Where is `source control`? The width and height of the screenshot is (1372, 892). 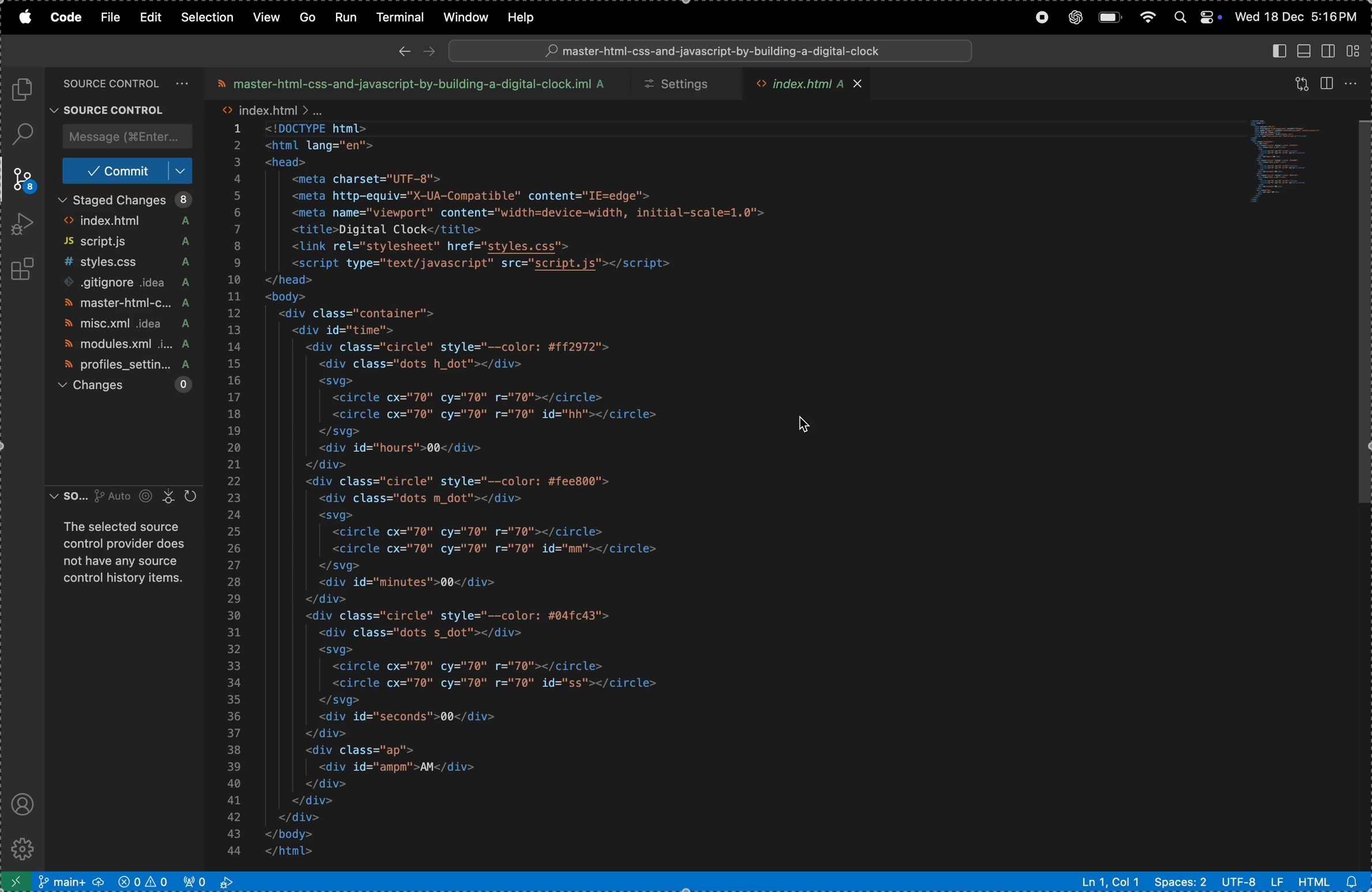 source control is located at coordinates (112, 498).